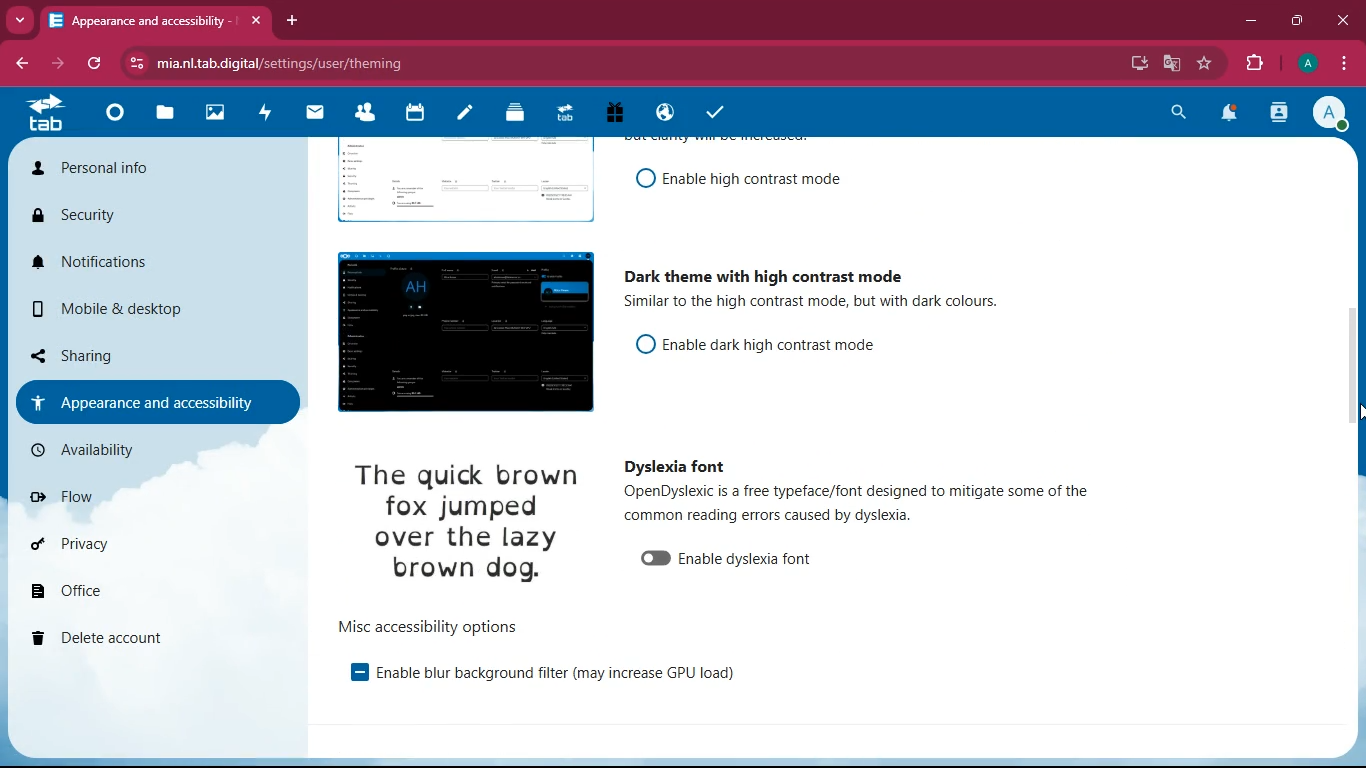 This screenshot has height=768, width=1366. Describe the element at coordinates (19, 21) in the screenshot. I see `more` at that location.